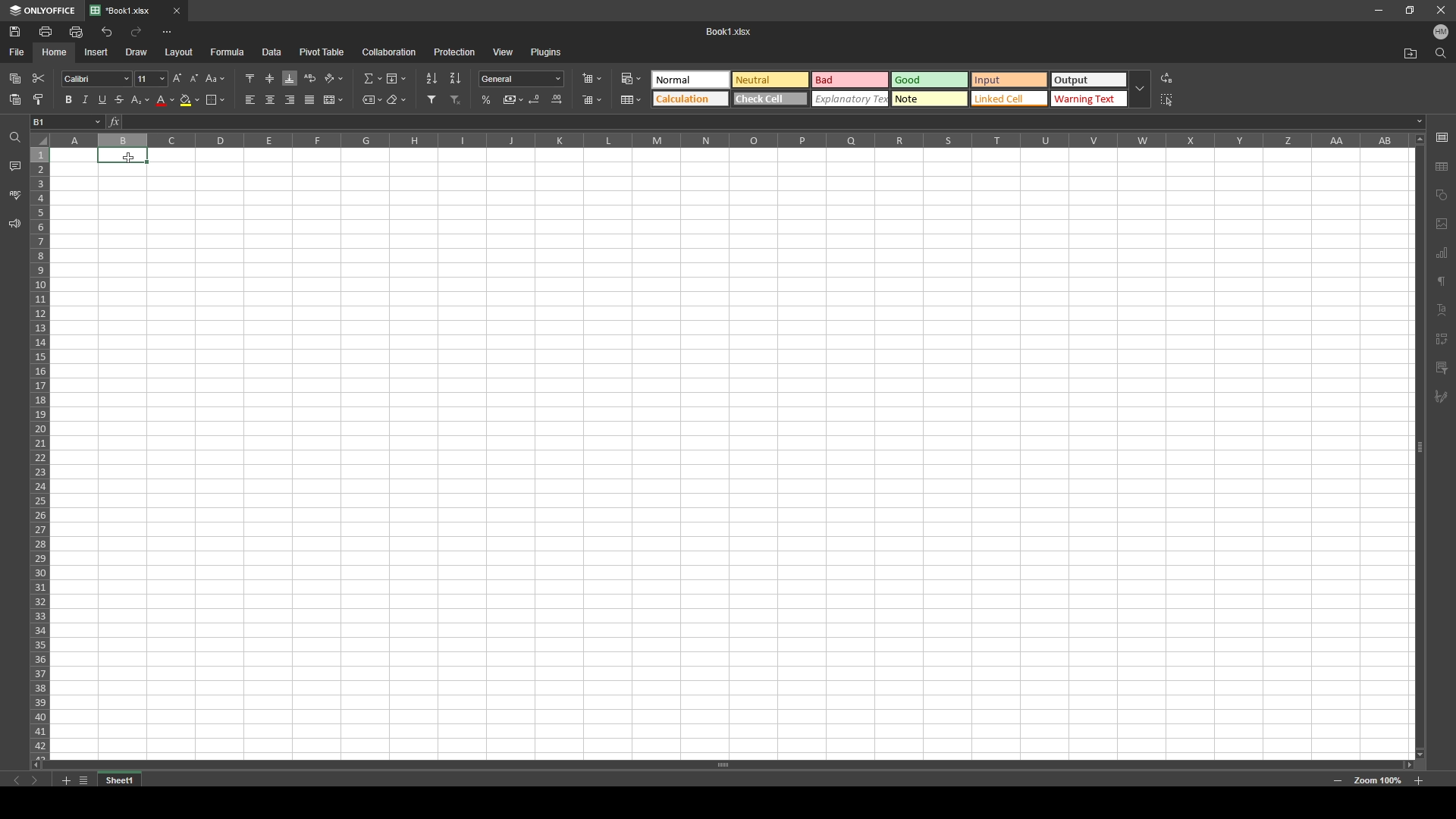 This screenshot has width=1456, height=819. I want to click on named ranges, so click(372, 99).